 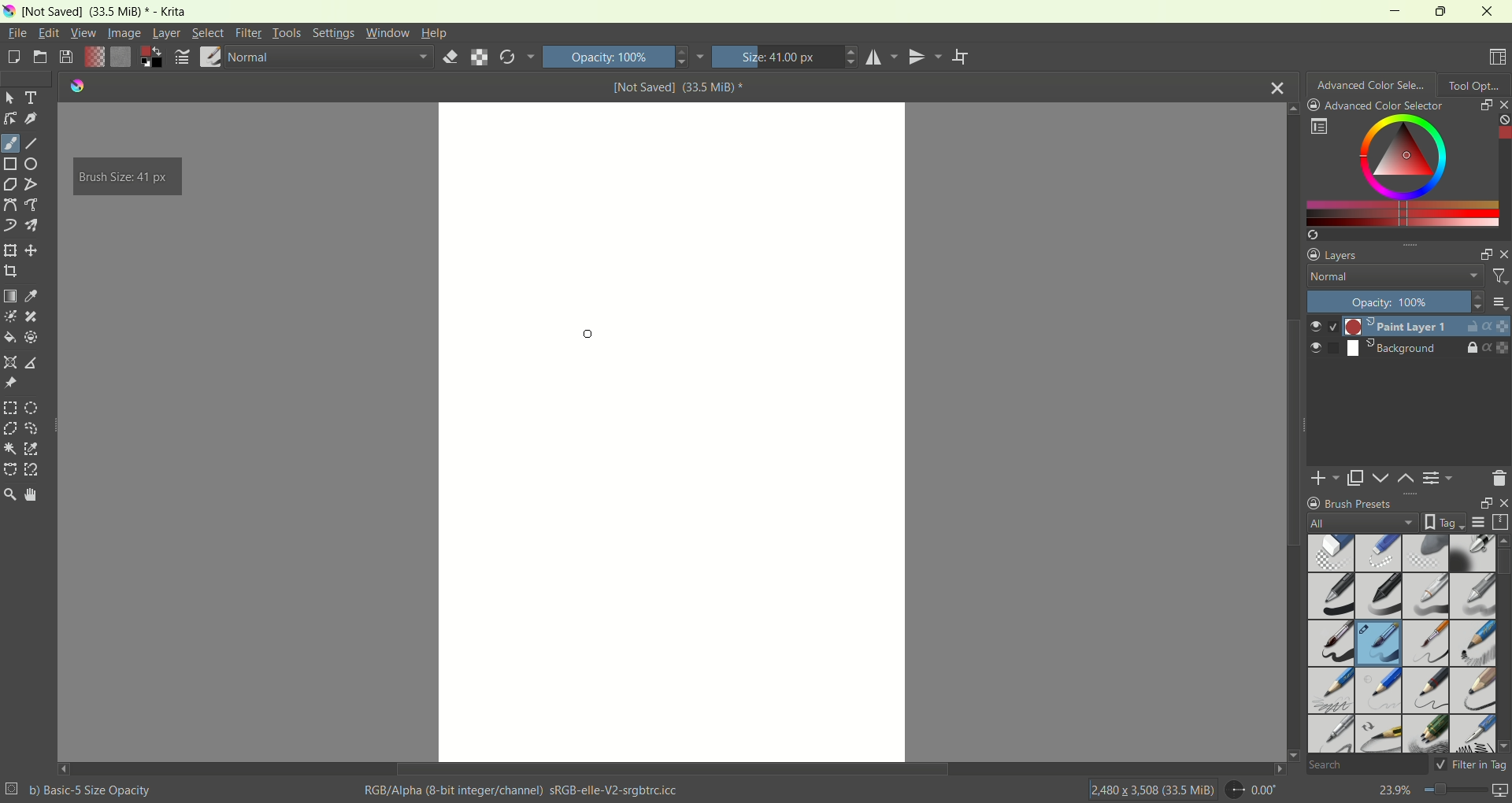 What do you see at coordinates (1390, 278) in the screenshot?
I see `normal` at bounding box center [1390, 278].